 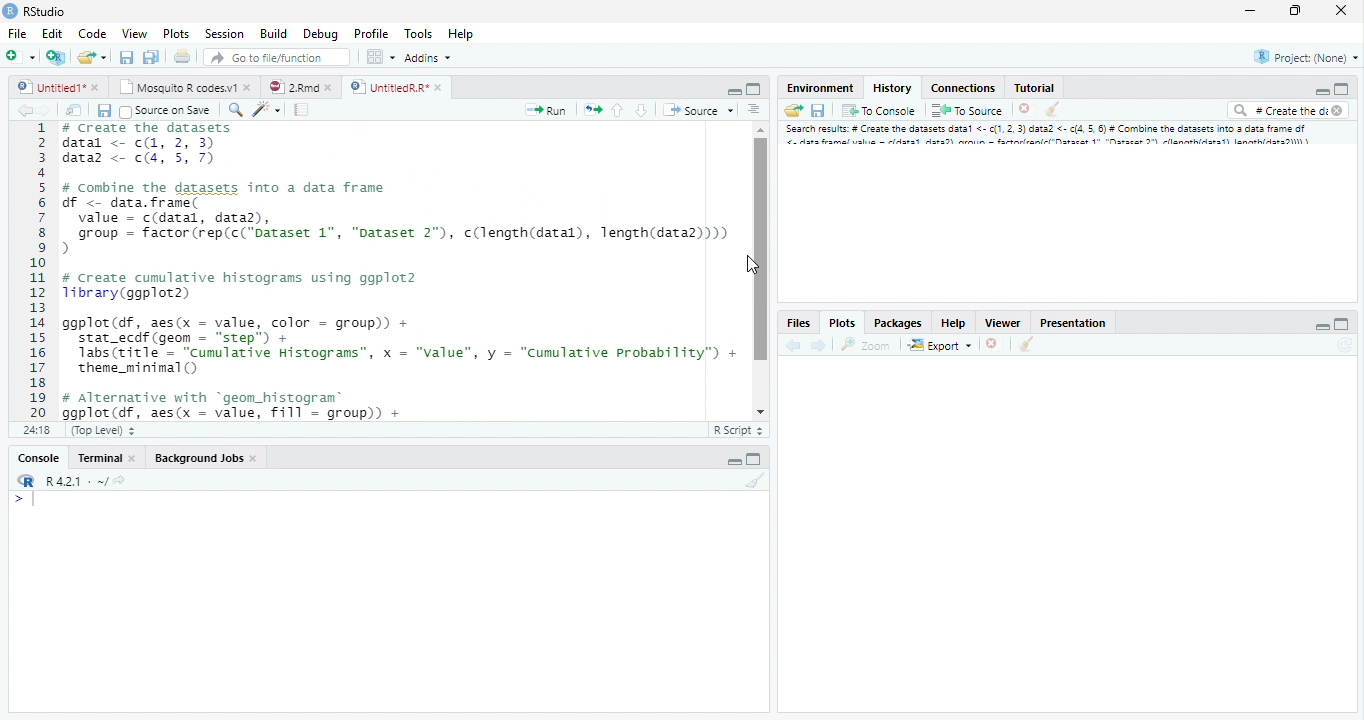 What do you see at coordinates (381, 58) in the screenshot?
I see `Workspace pane` at bounding box center [381, 58].